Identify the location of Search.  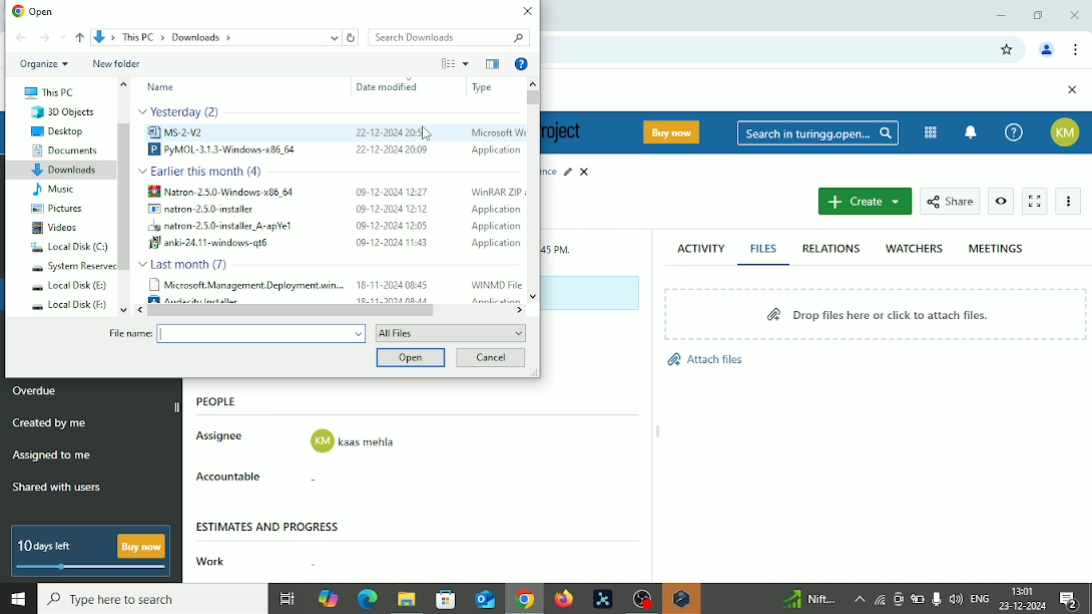
(152, 599).